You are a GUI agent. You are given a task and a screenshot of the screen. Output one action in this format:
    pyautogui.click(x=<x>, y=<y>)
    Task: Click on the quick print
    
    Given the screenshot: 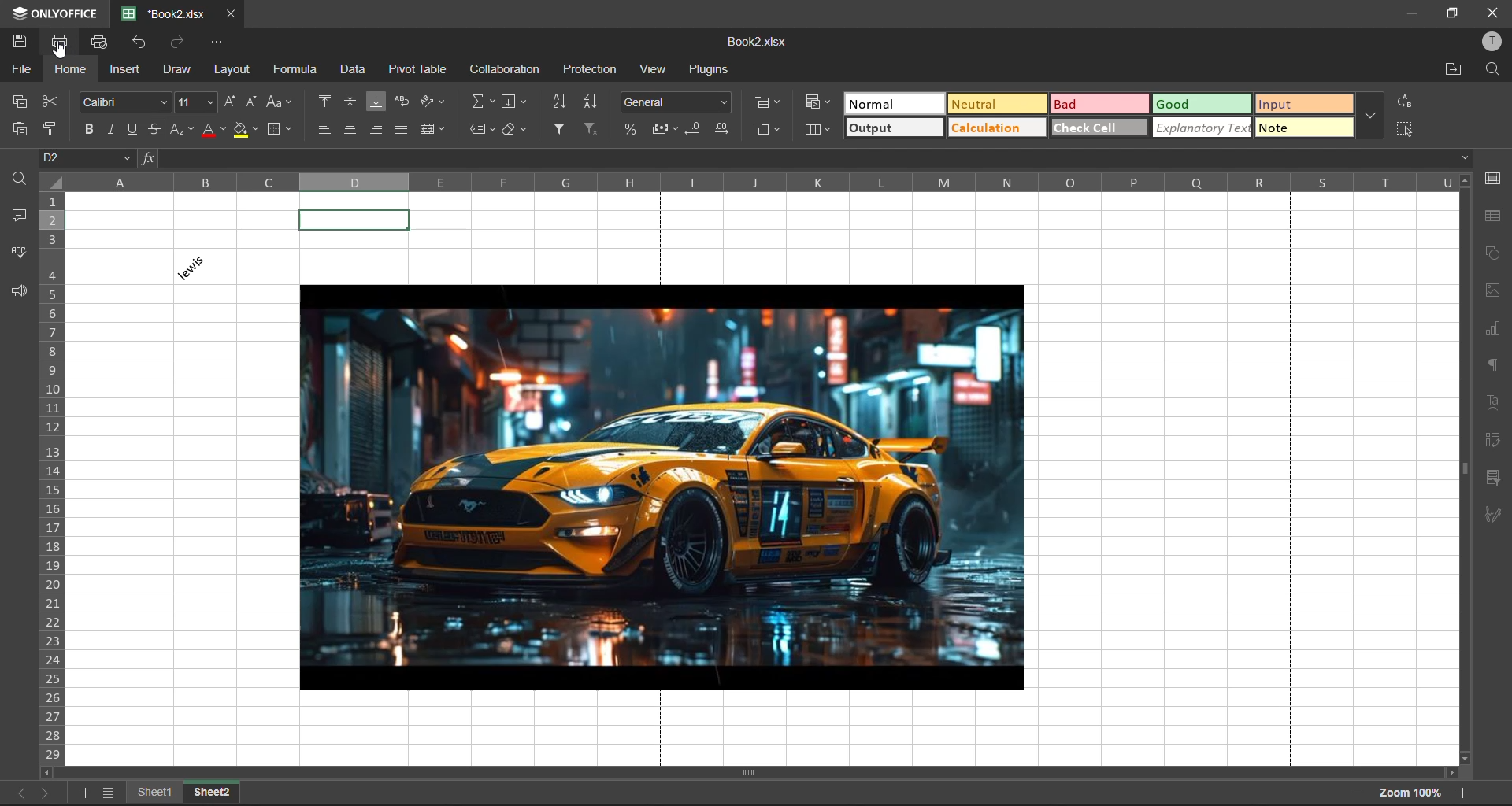 What is the action you would take?
    pyautogui.click(x=102, y=43)
    